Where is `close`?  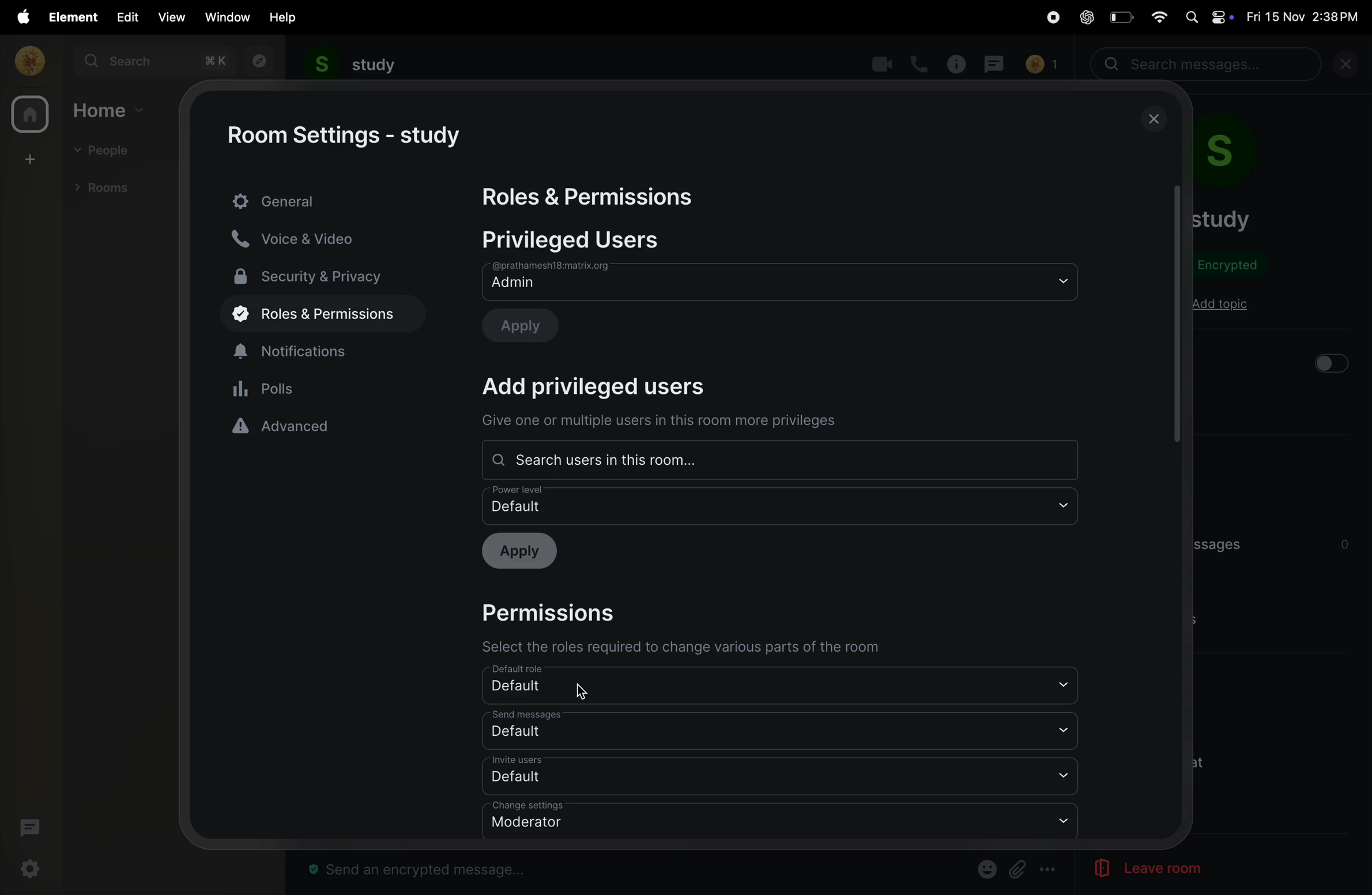
close is located at coordinates (1351, 67).